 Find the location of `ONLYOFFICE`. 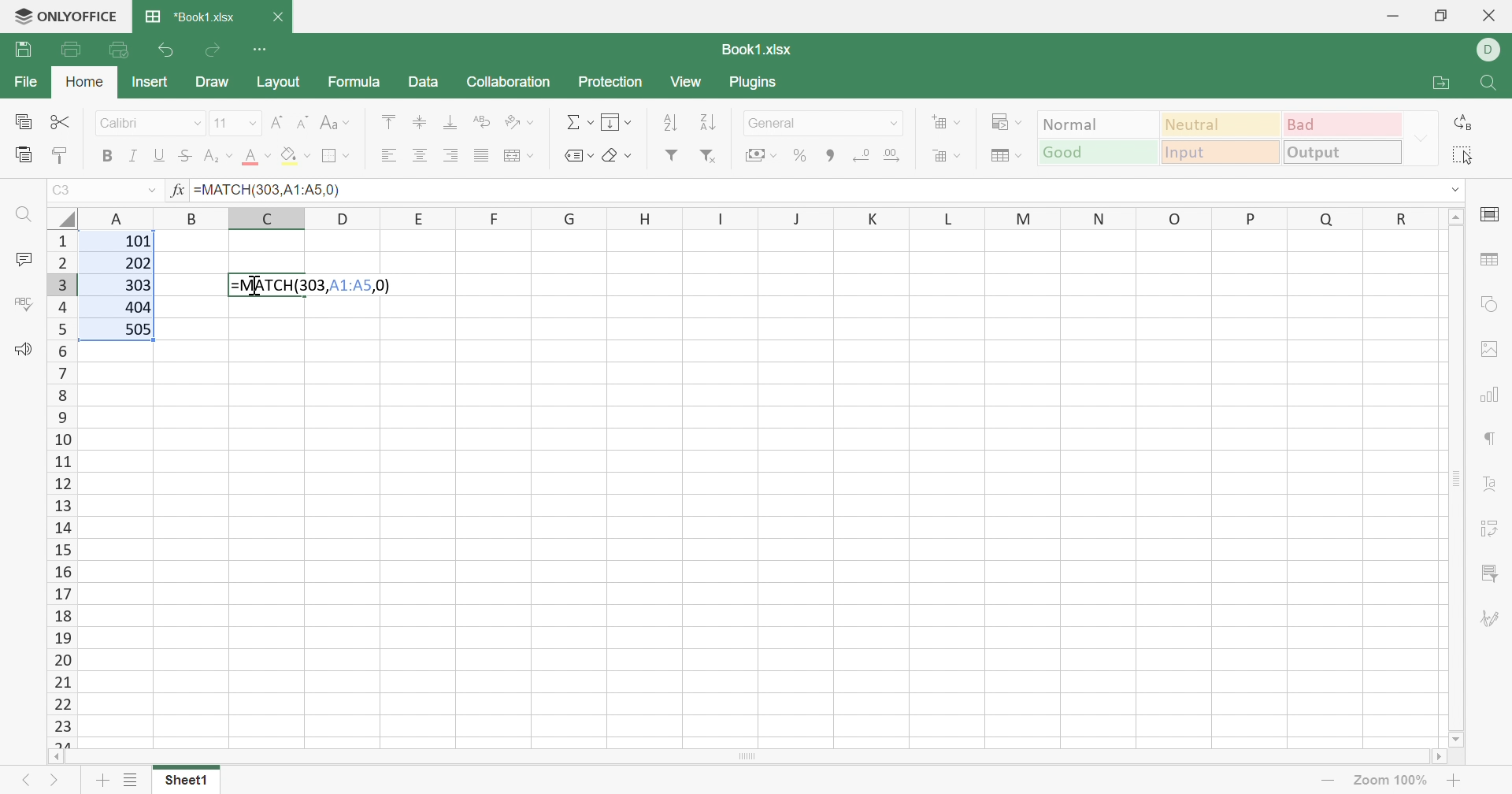

ONLYOFFICE is located at coordinates (68, 16).